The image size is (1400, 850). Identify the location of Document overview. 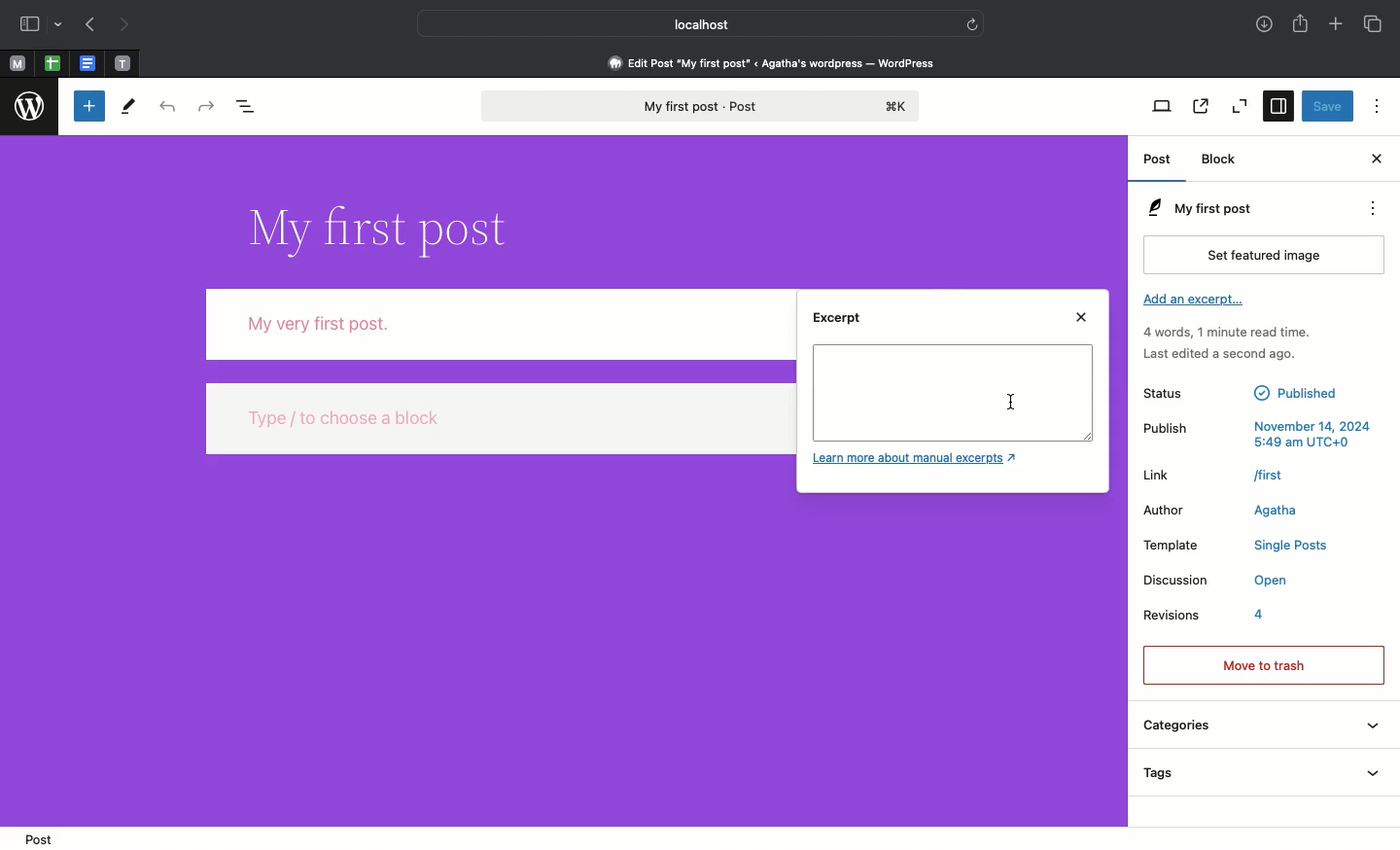
(253, 108).